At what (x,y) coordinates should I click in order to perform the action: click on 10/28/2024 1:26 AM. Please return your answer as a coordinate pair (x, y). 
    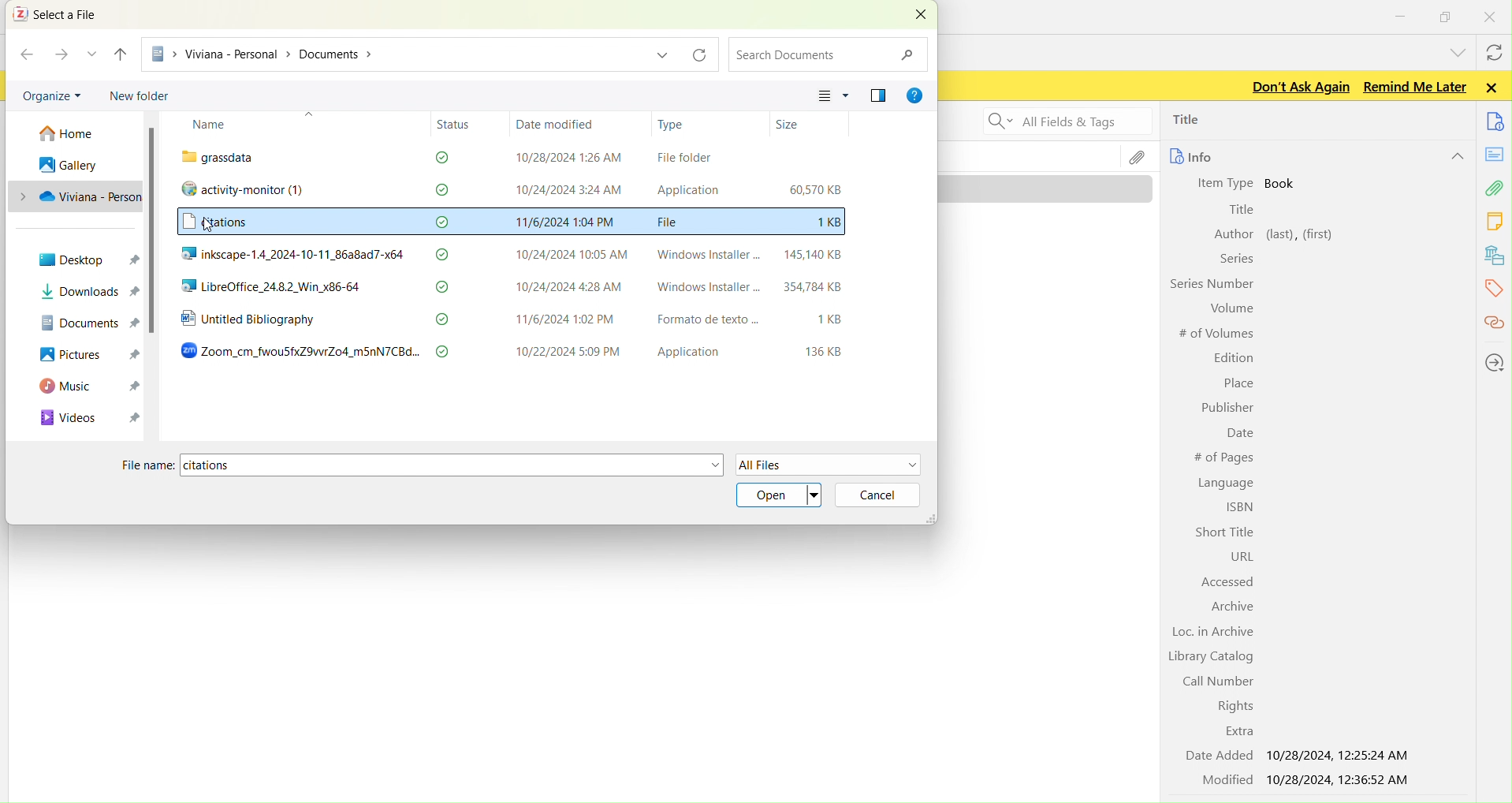
    Looking at the image, I should click on (558, 158).